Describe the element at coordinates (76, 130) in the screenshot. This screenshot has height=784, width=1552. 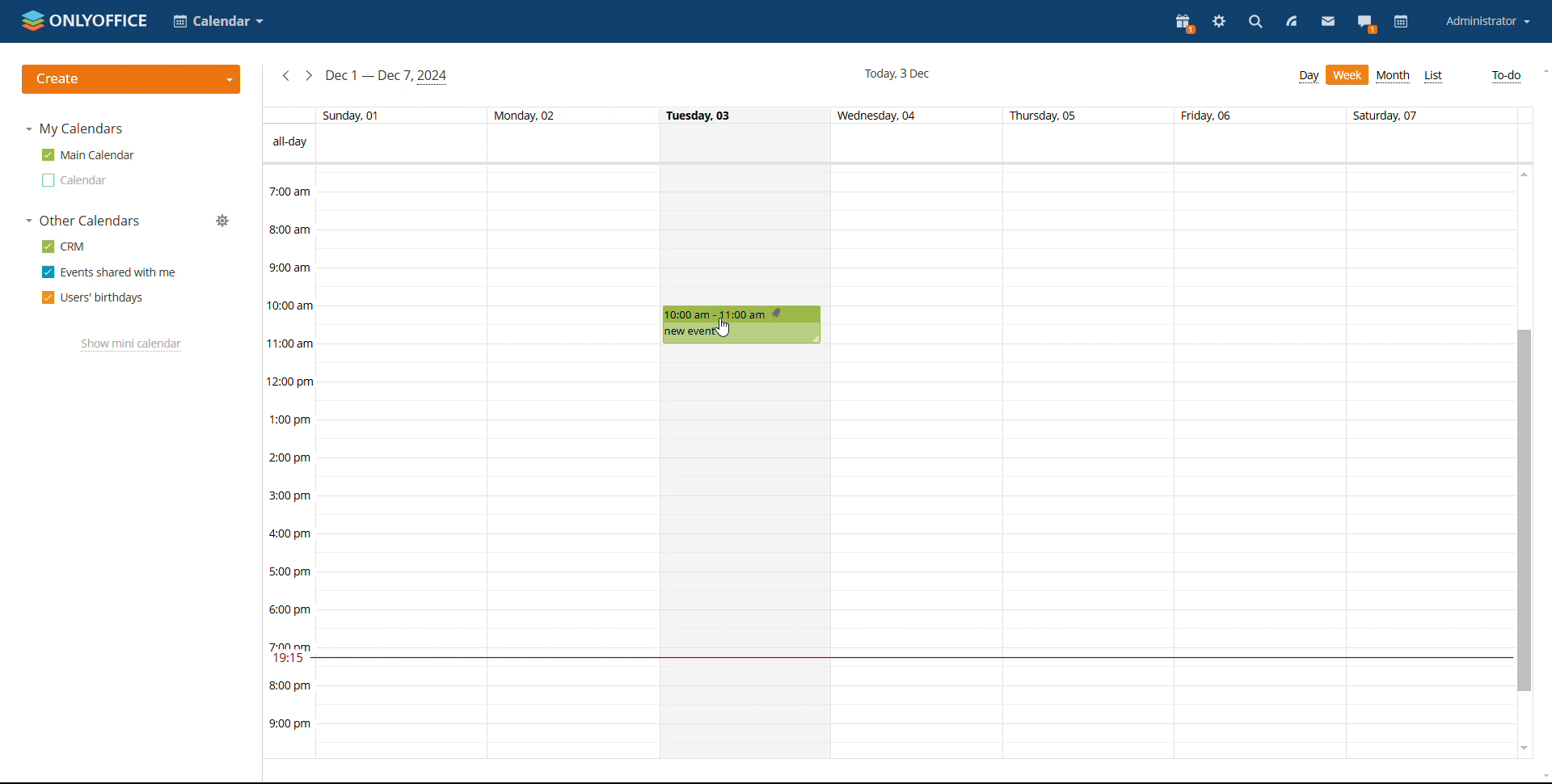
I see `My Calendars` at that location.